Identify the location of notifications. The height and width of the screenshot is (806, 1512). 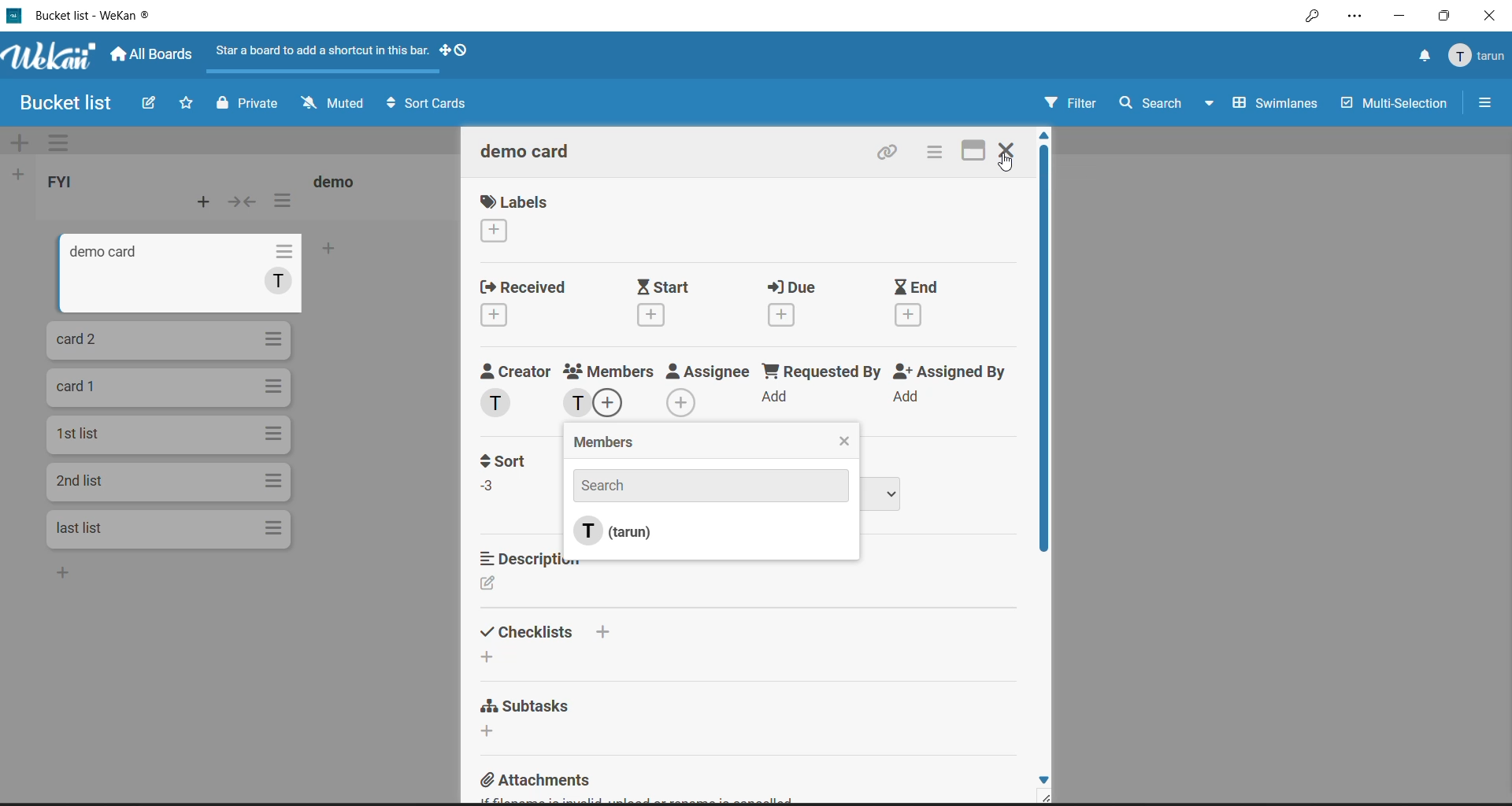
(1421, 56).